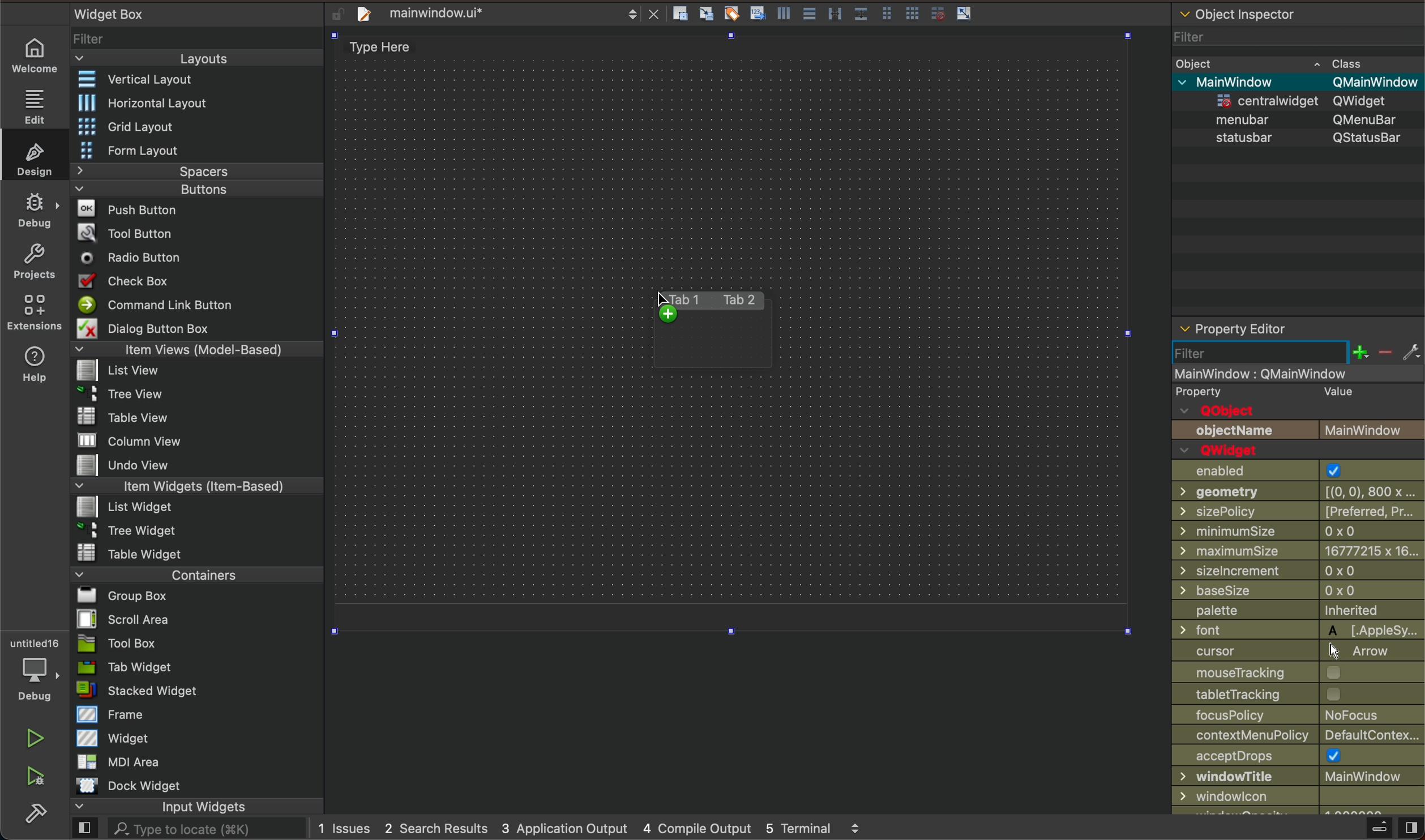 This screenshot has height=840, width=1425. What do you see at coordinates (128, 761) in the screenshot?
I see ` MDI Area` at bounding box center [128, 761].